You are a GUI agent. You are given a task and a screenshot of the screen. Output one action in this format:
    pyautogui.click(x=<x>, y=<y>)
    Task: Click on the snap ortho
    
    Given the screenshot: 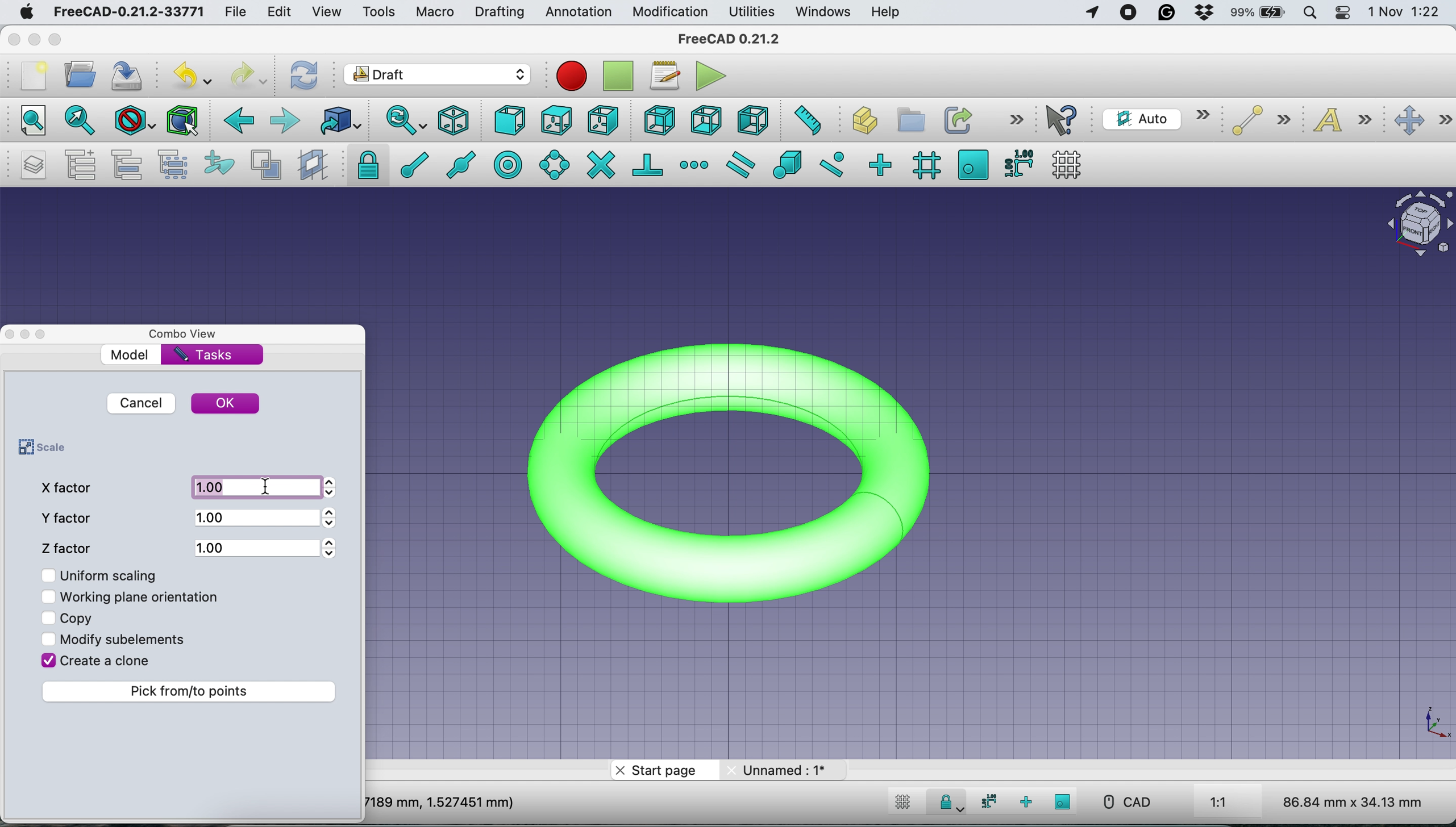 What is the action you would take?
    pyautogui.click(x=883, y=164)
    